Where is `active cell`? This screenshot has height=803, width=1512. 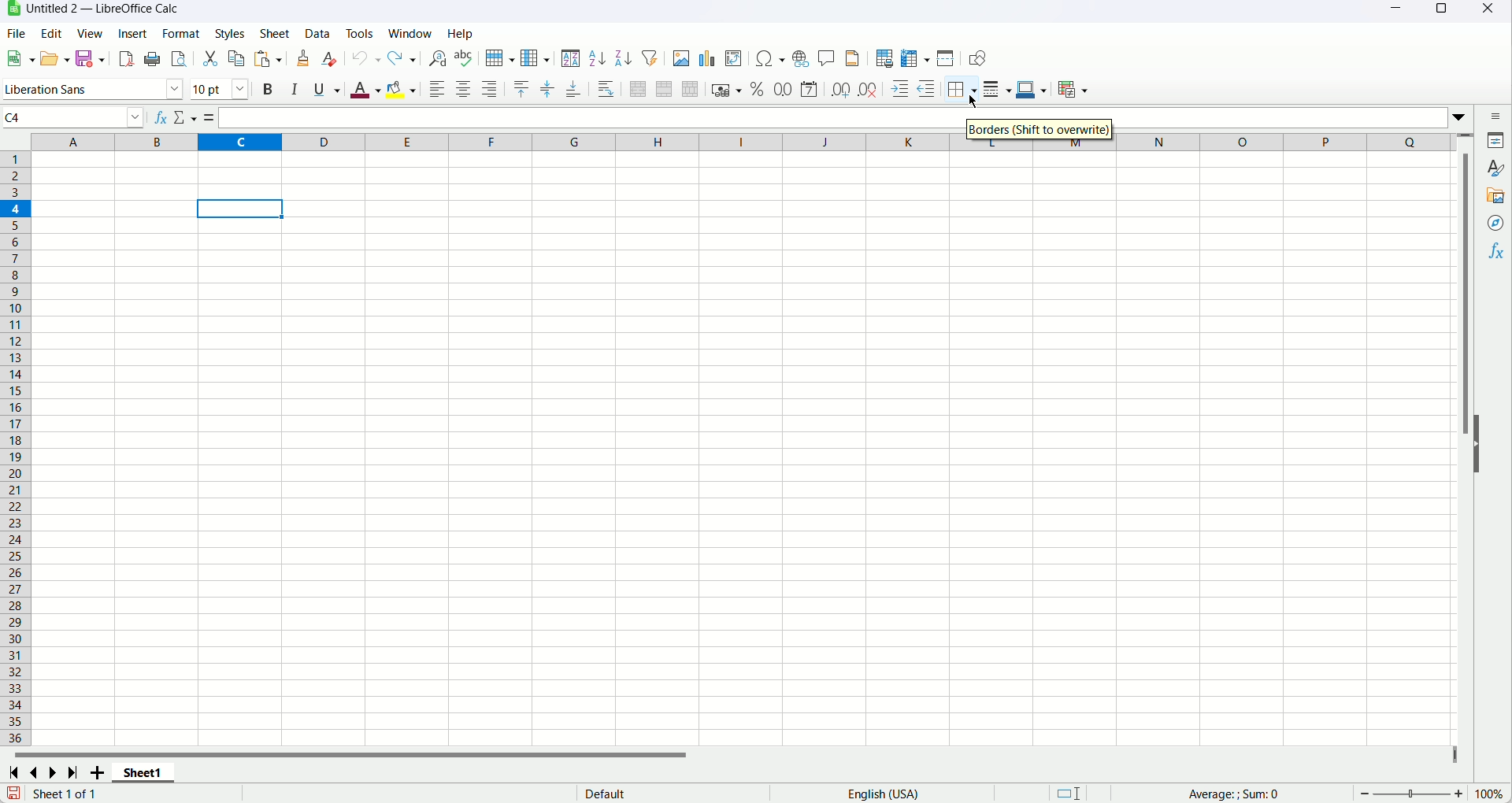 active cell is located at coordinates (243, 210).